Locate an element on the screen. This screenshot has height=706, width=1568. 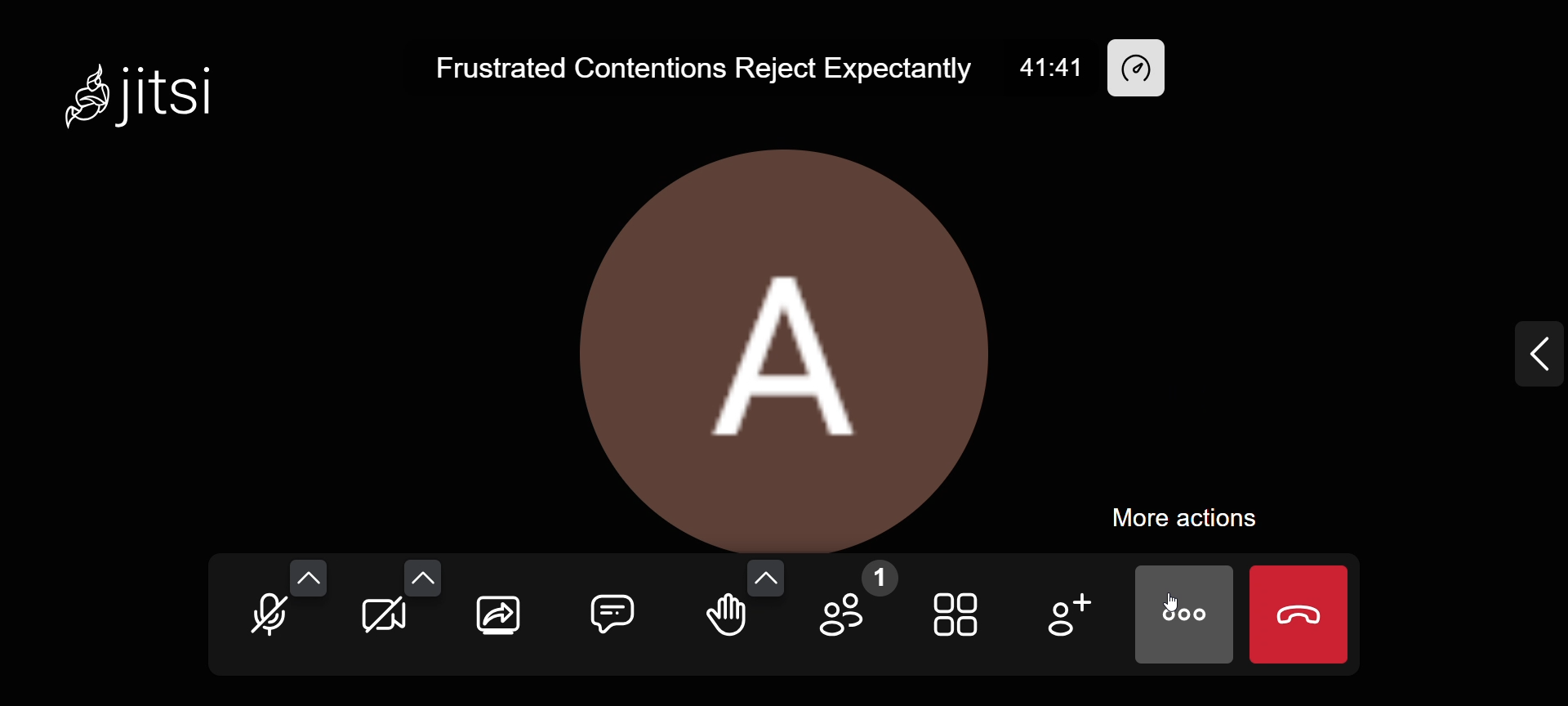
cursor is located at coordinates (1172, 605).